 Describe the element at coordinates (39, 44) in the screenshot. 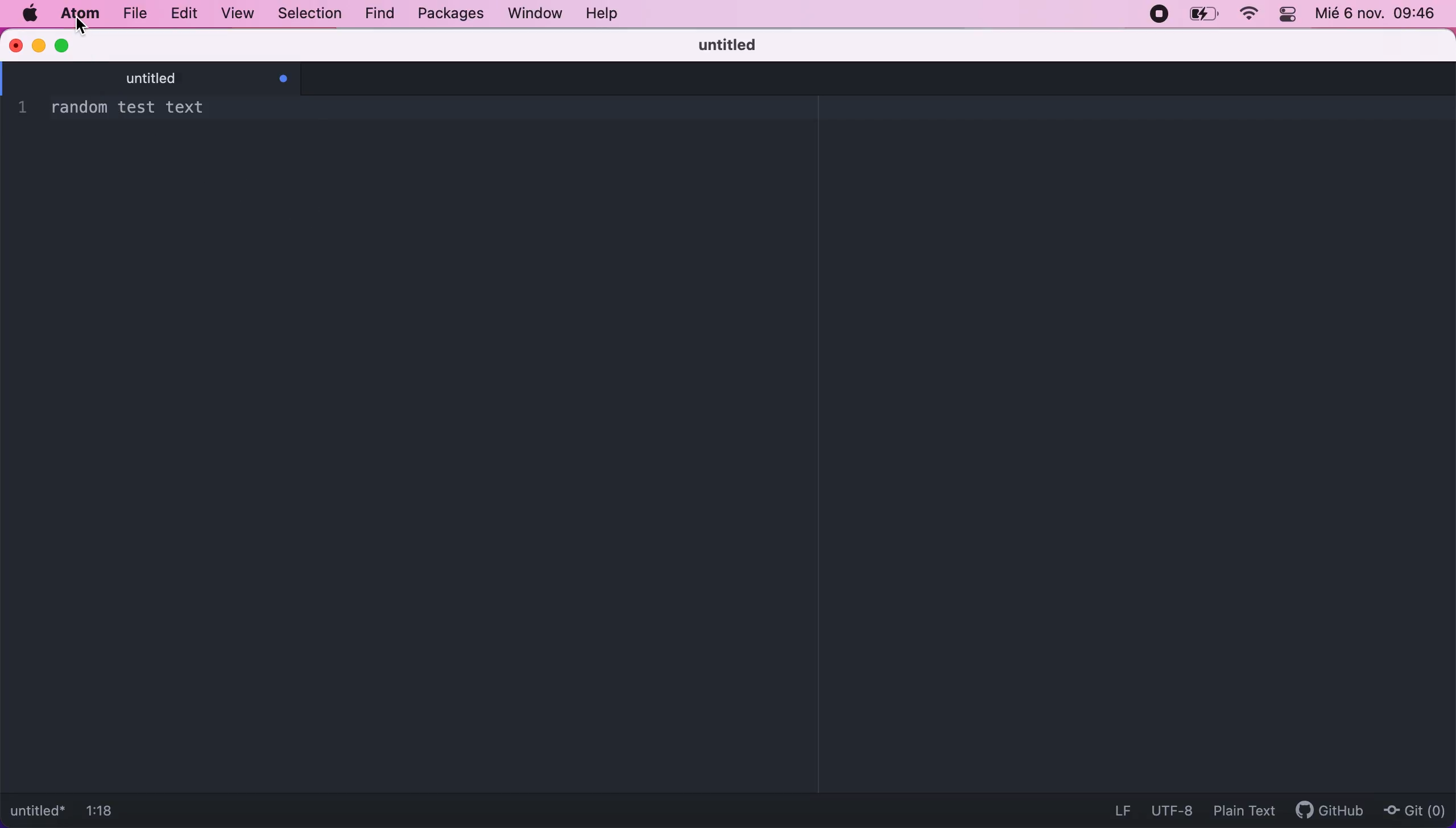

I see `minimize` at that location.